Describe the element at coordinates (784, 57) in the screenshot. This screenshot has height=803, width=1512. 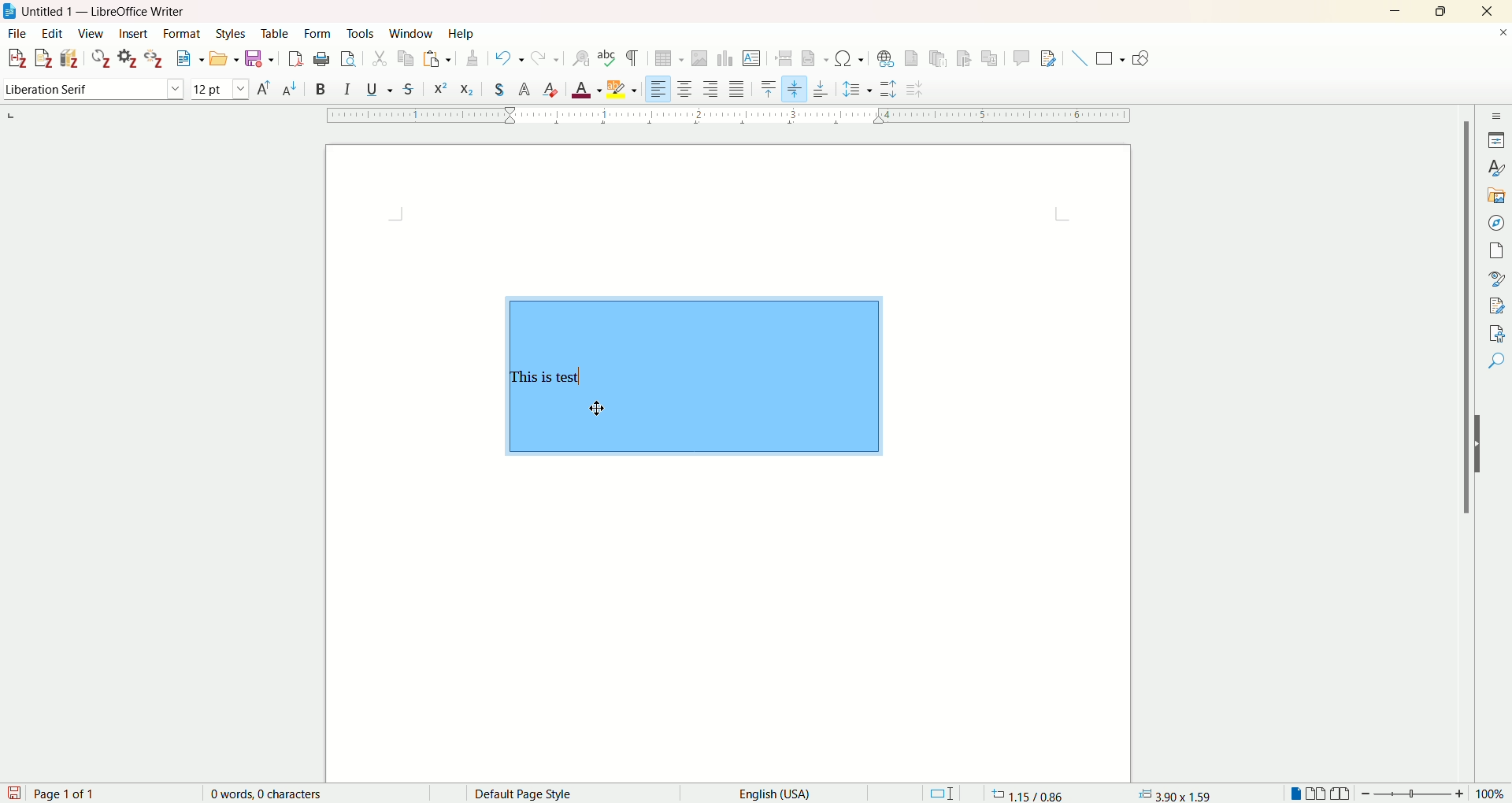
I see `insert pagebreak` at that location.